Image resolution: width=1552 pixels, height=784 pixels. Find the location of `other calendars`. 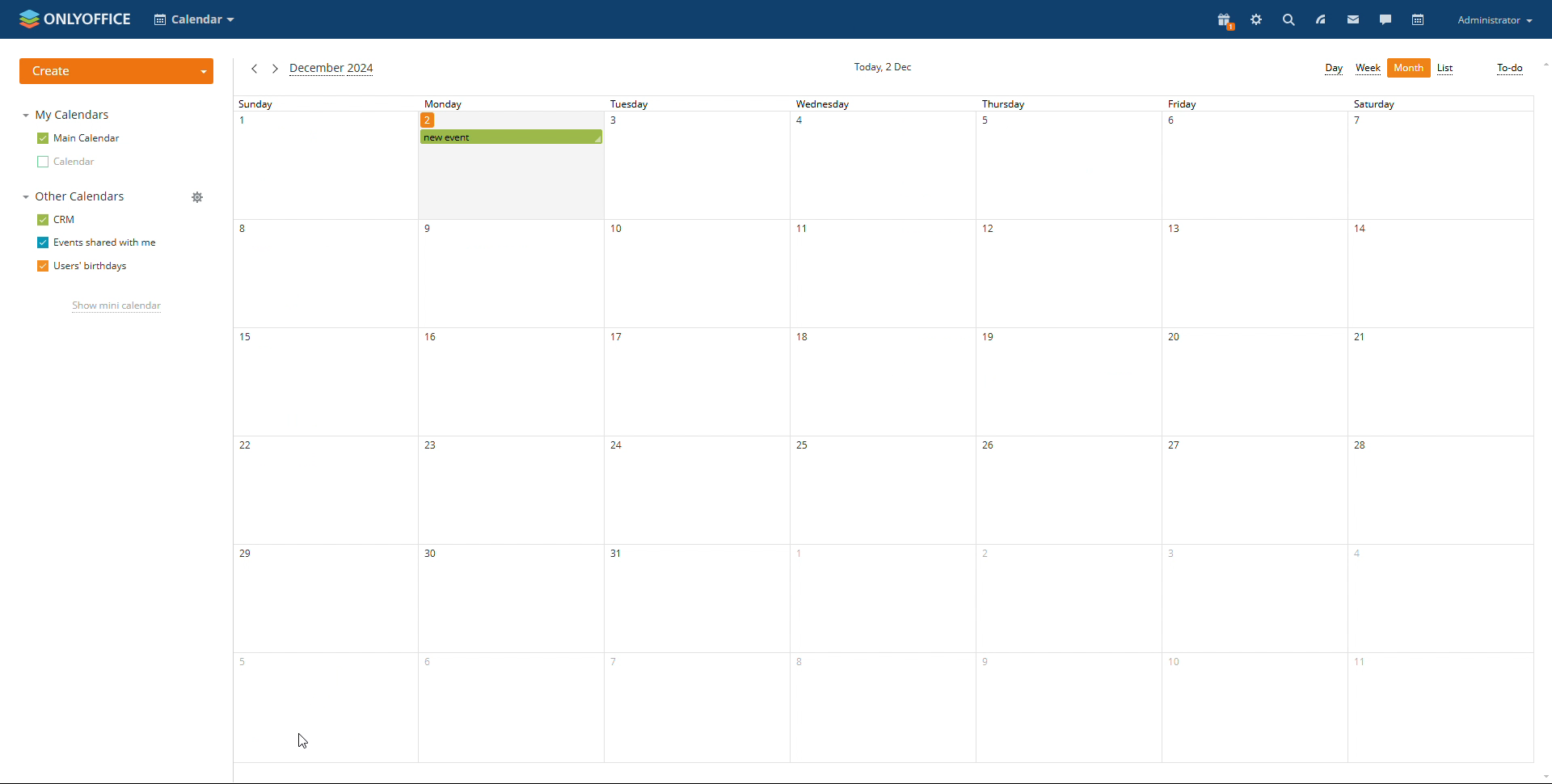

other calendars is located at coordinates (74, 196).